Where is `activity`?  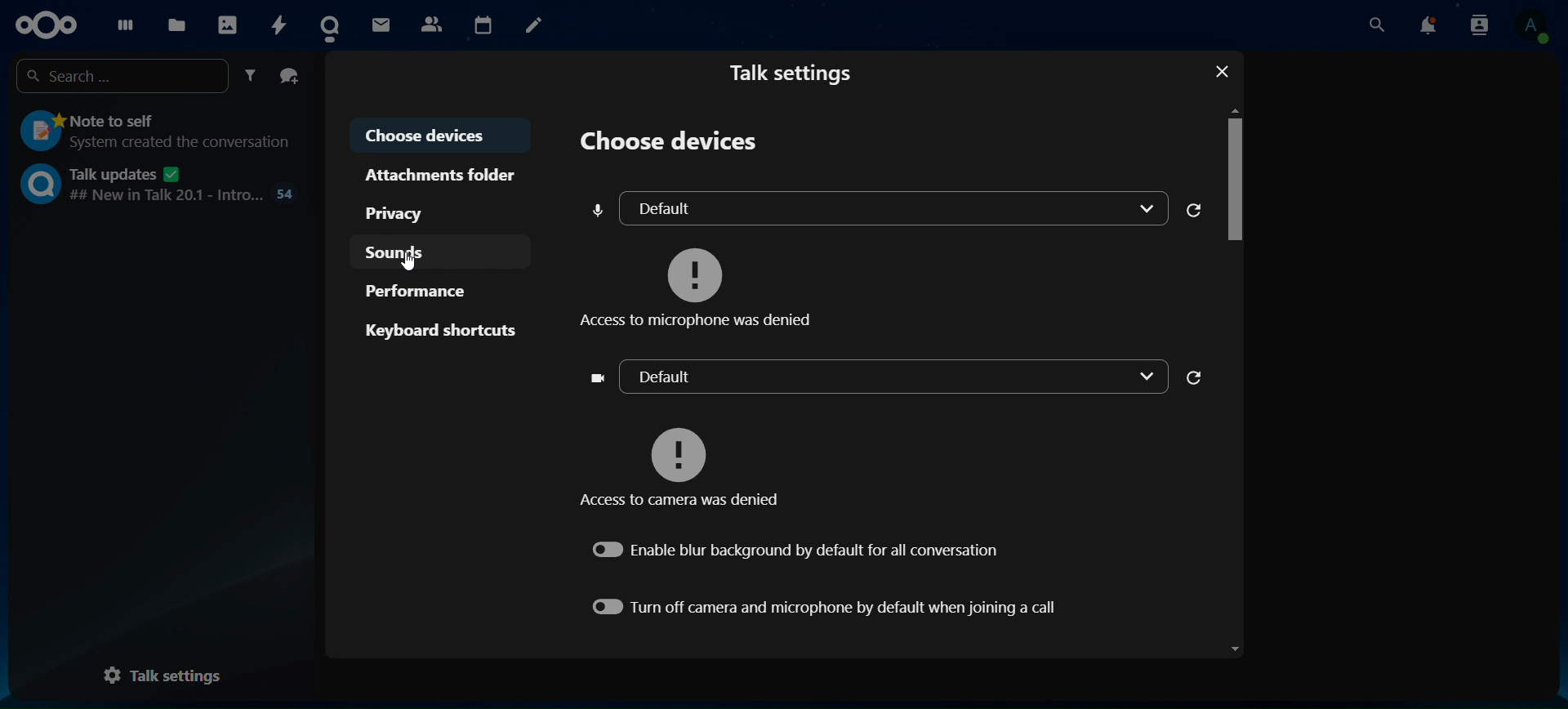 activity is located at coordinates (280, 24).